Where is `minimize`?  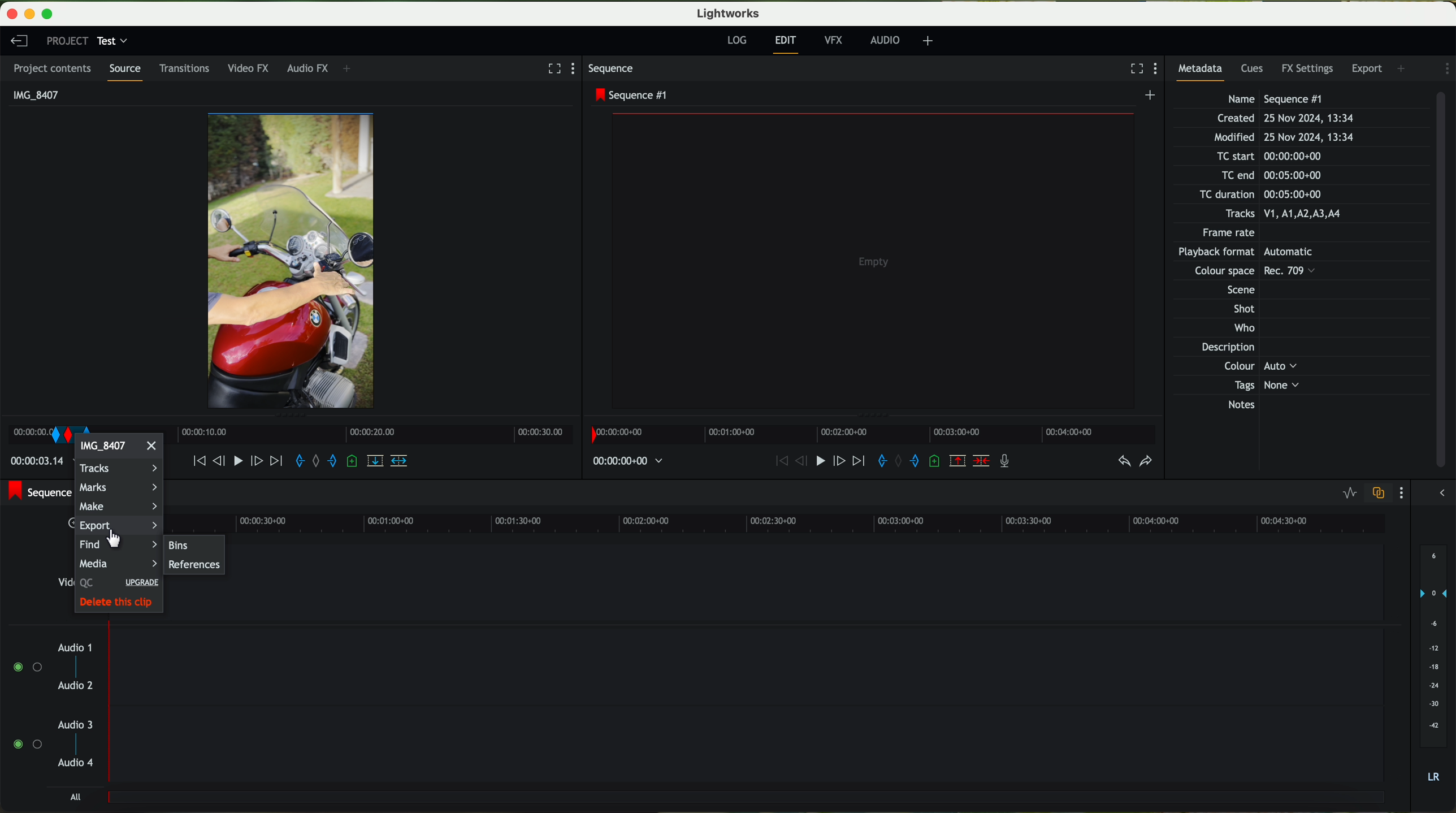 minimize is located at coordinates (27, 12).